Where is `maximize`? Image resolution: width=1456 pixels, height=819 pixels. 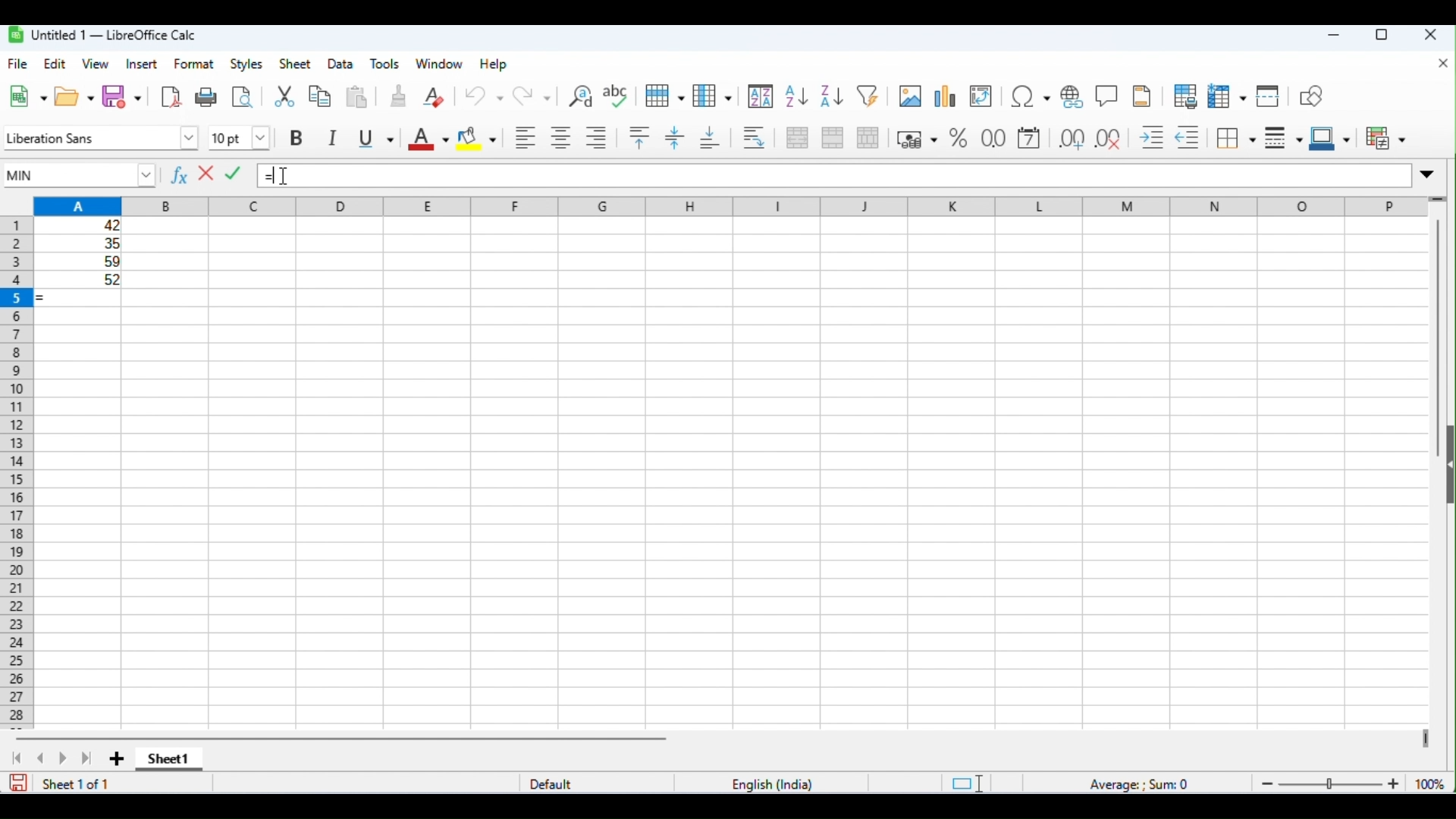
maximize is located at coordinates (1382, 36).